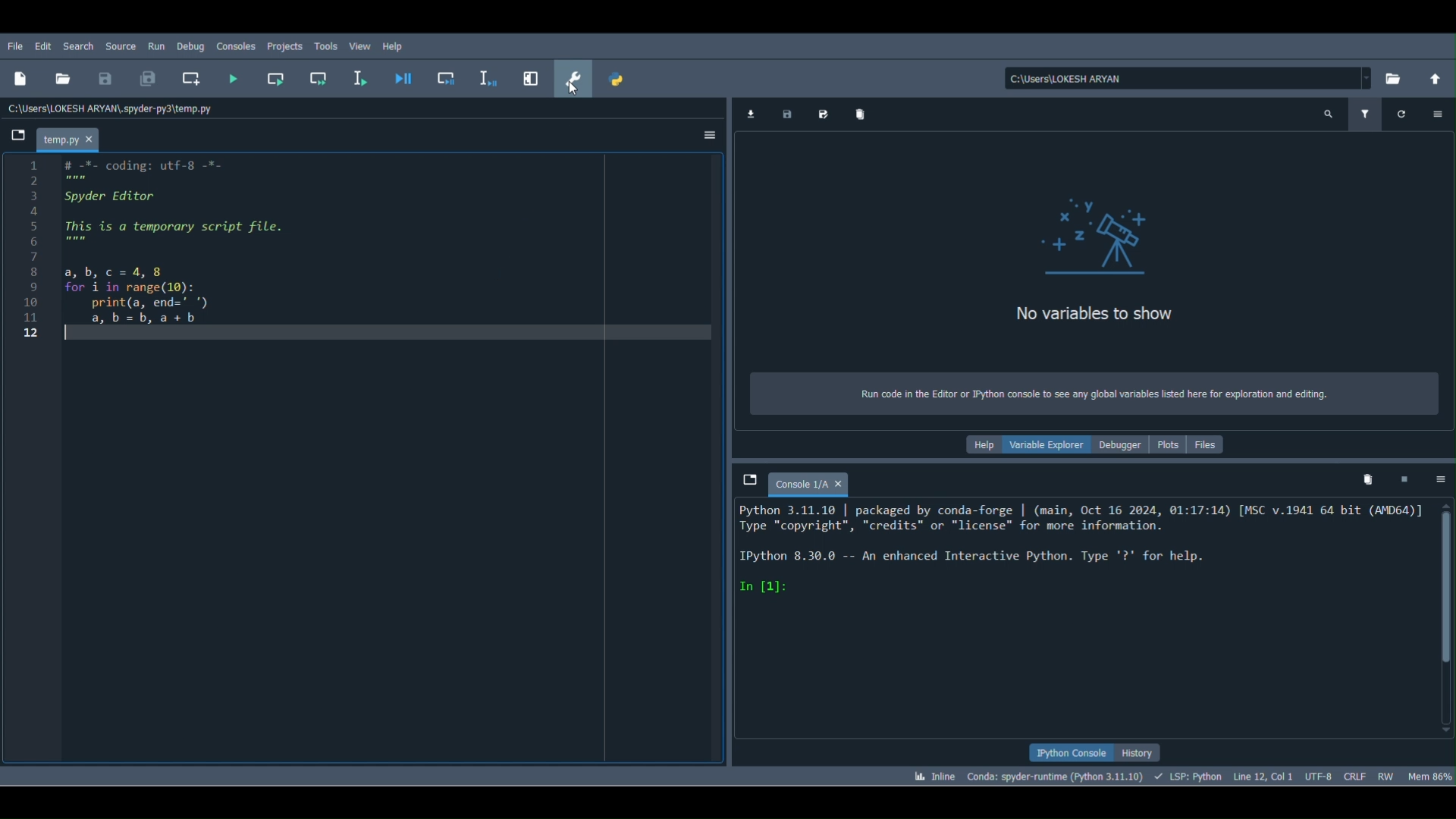  What do you see at coordinates (1359, 776) in the screenshot?
I see `File EOL Status` at bounding box center [1359, 776].